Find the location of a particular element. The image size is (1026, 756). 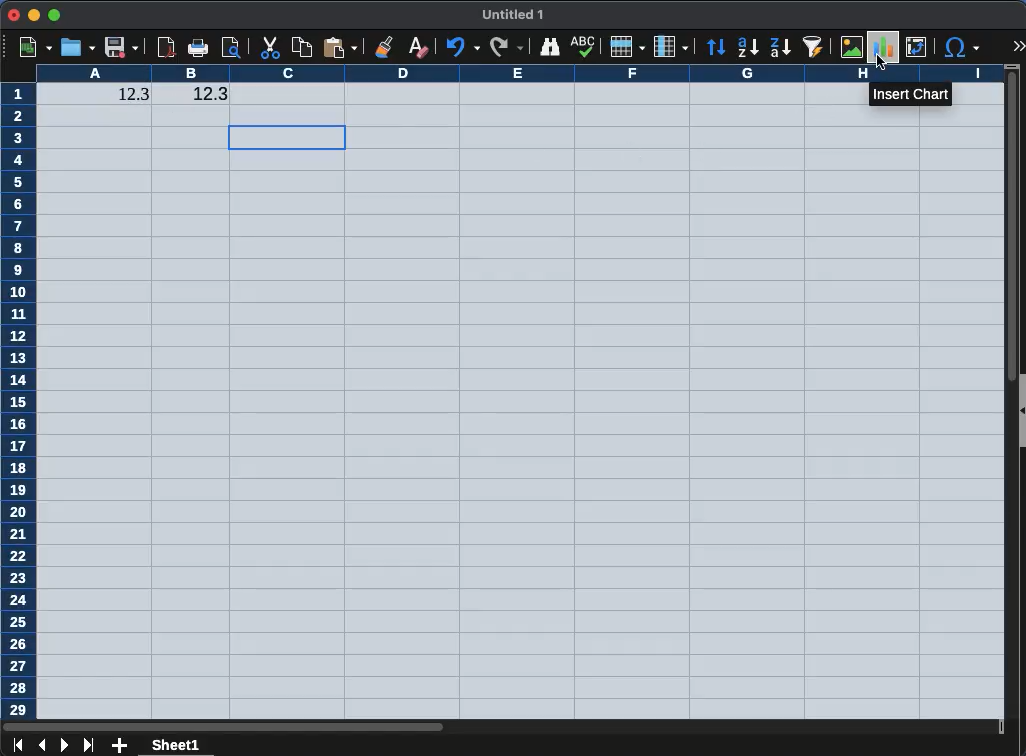

special character is located at coordinates (960, 48).